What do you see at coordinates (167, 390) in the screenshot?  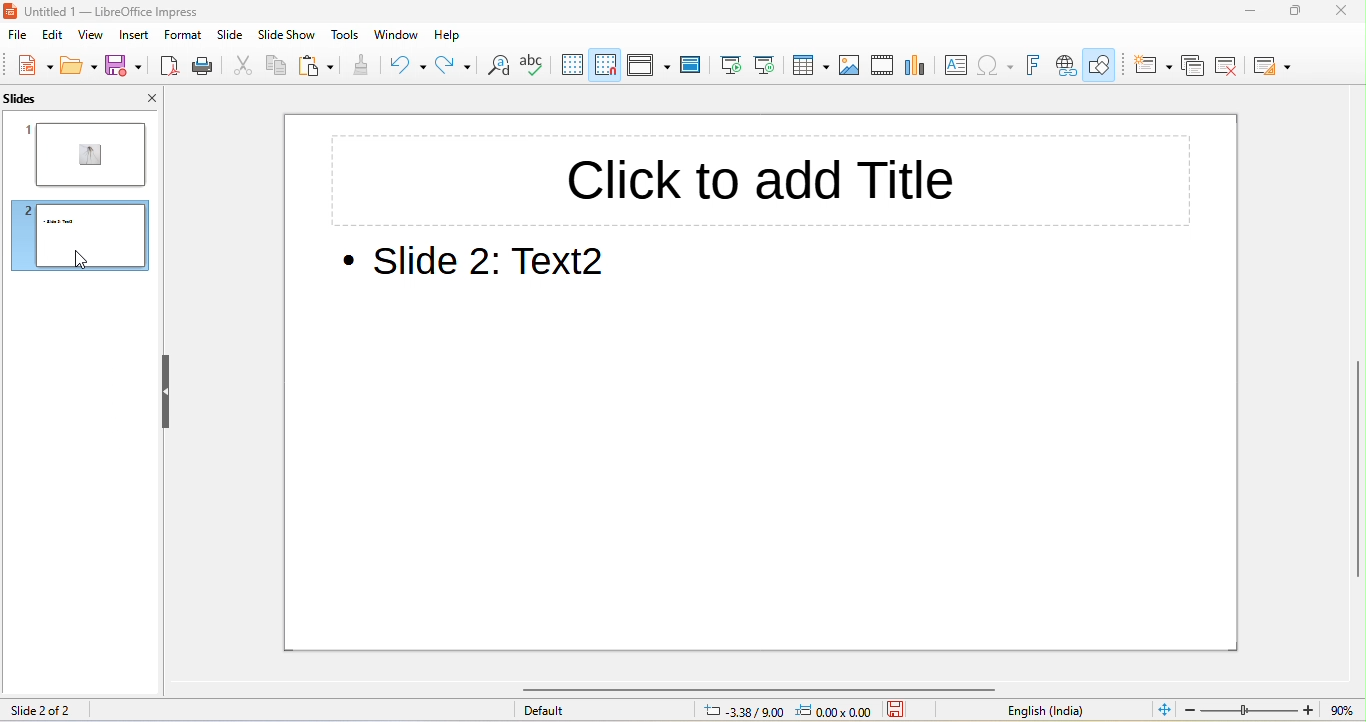 I see `hide` at bounding box center [167, 390].